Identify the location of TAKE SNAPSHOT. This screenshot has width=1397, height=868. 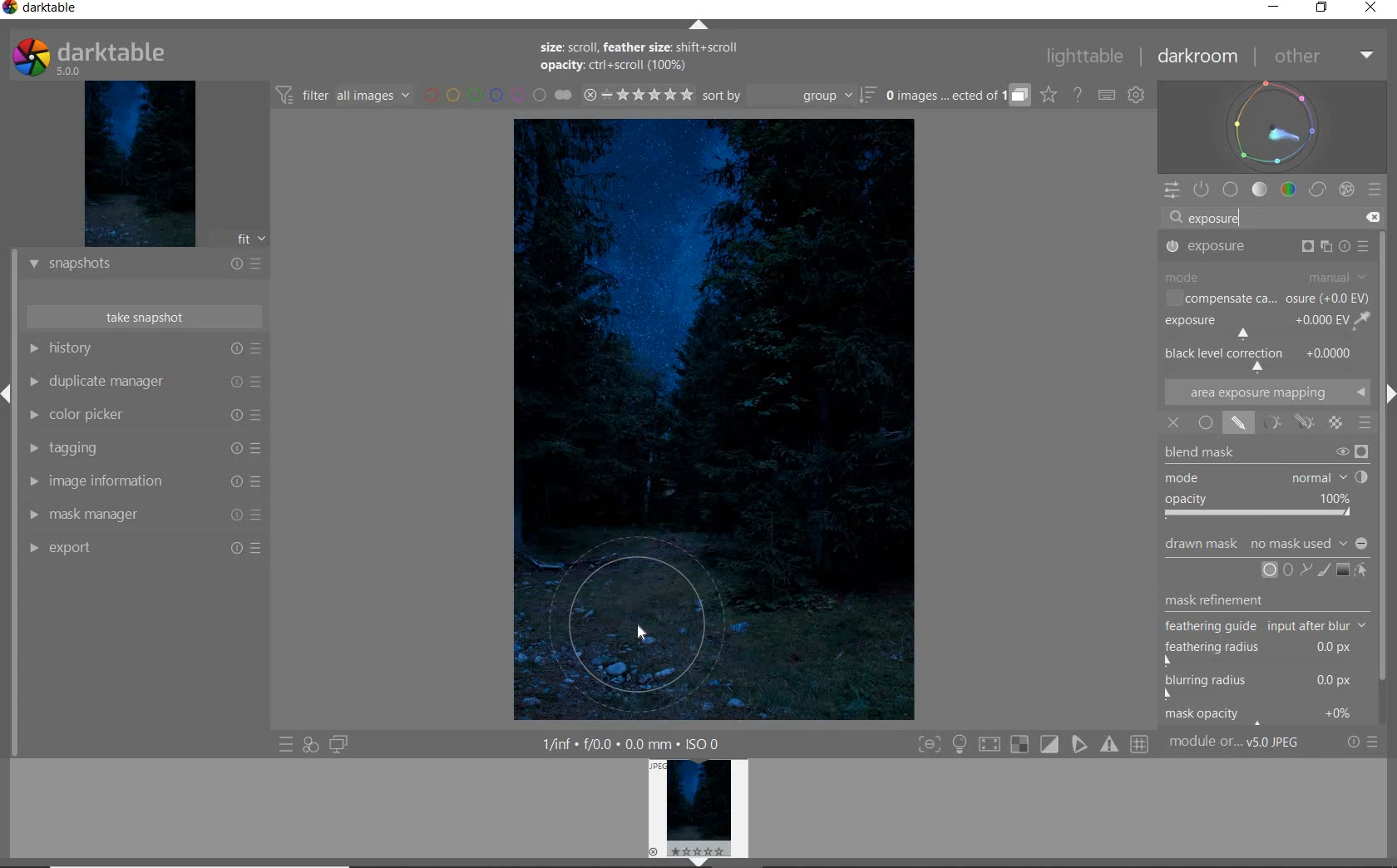
(146, 318).